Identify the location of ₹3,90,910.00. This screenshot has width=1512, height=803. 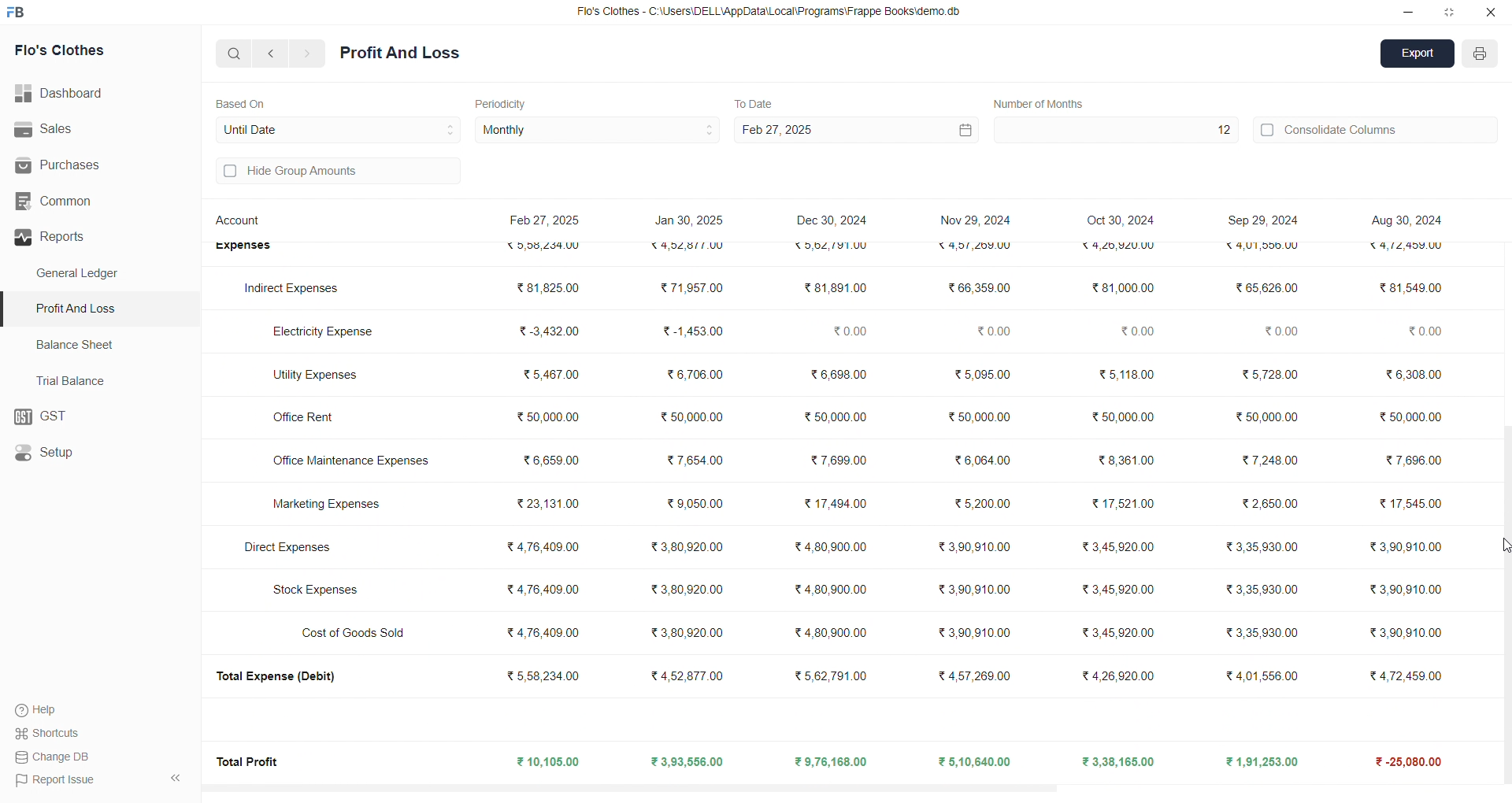
(975, 633).